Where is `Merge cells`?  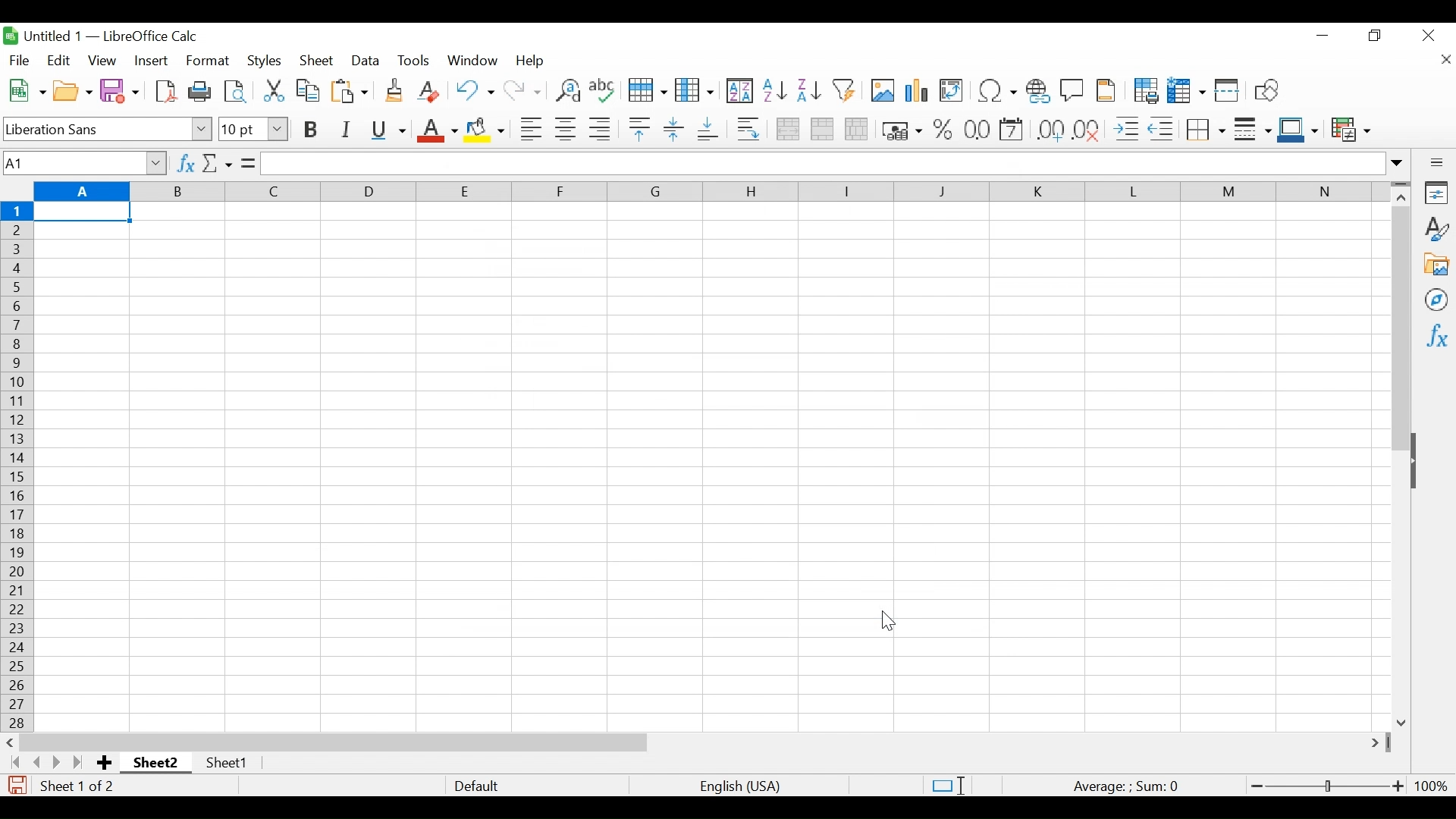 Merge cells is located at coordinates (821, 129).